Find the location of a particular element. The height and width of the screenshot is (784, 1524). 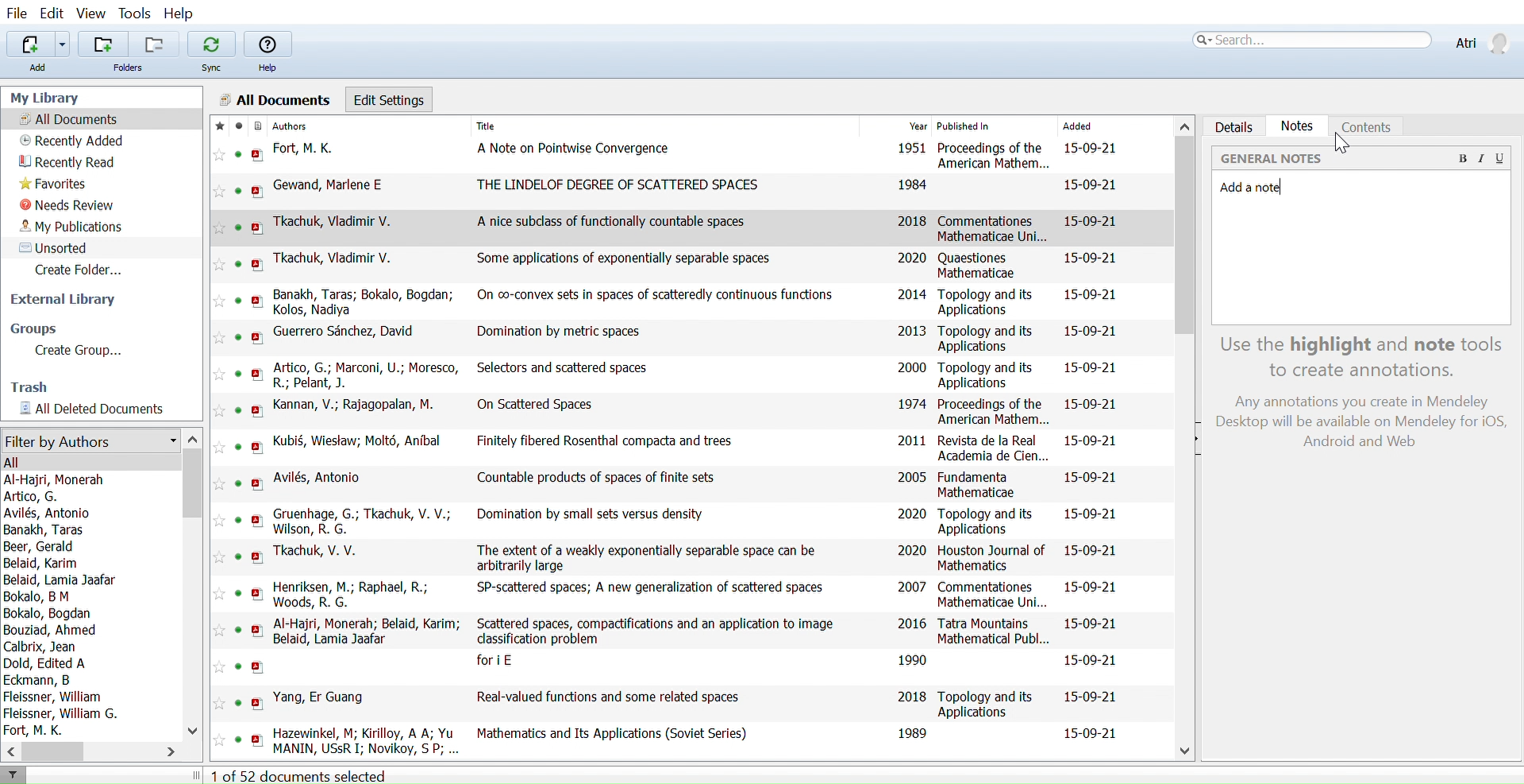

Calbrix, Jean is located at coordinates (41, 647).